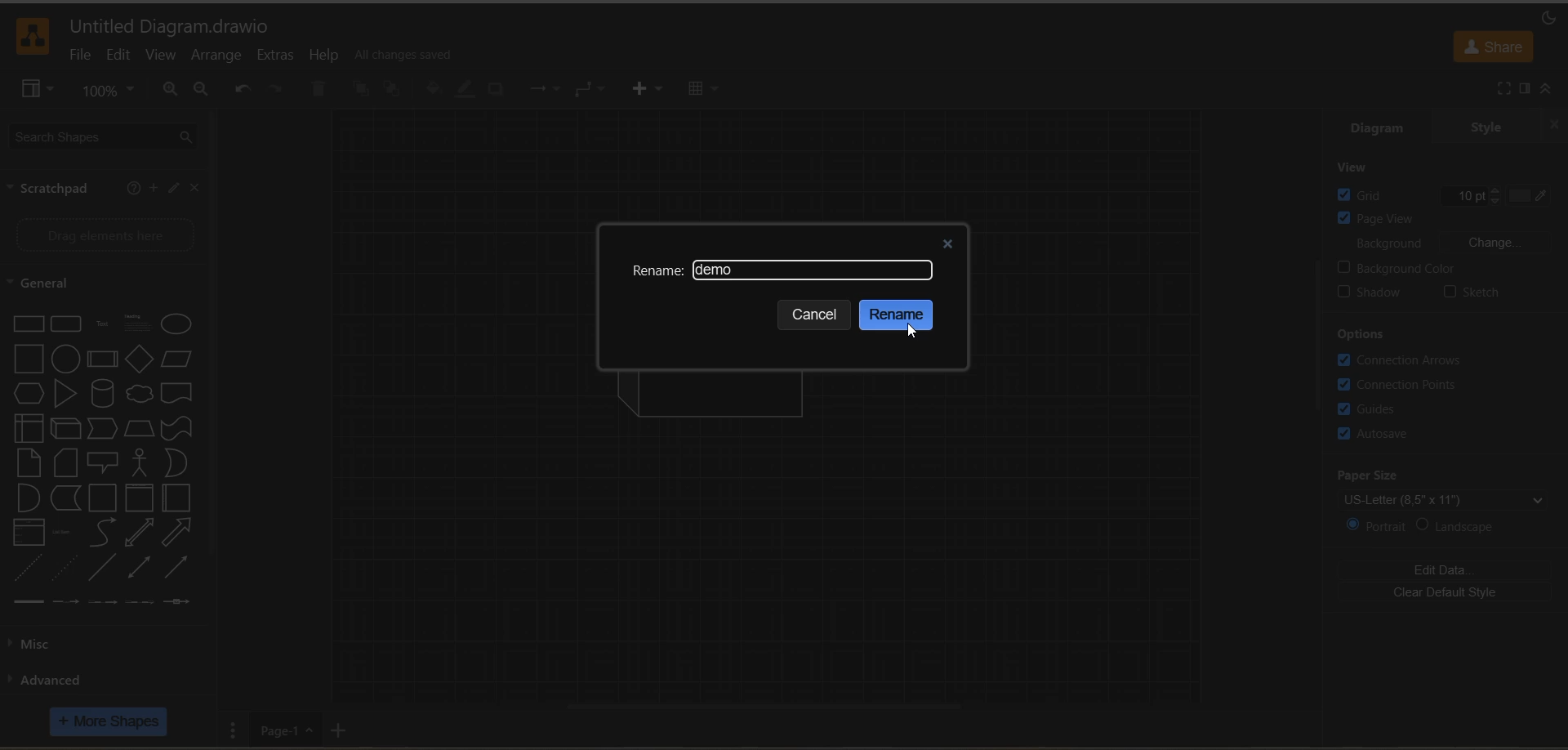 This screenshot has width=1568, height=750. What do you see at coordinates (285, 732) in the screenshot?
I see `page 1` at bounding box center [285, 732].